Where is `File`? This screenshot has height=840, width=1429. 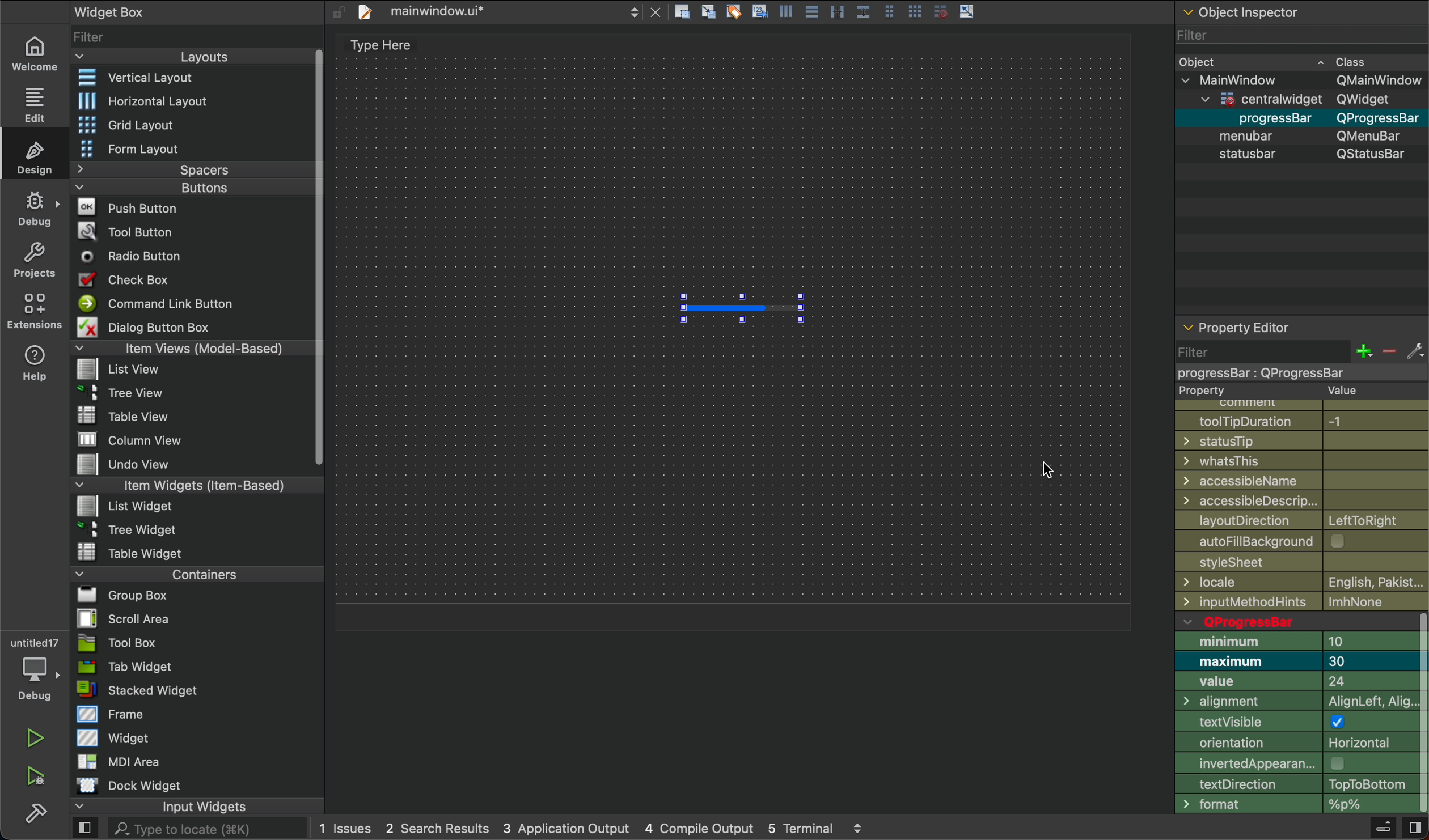 File is located at coordinates (131, 528).